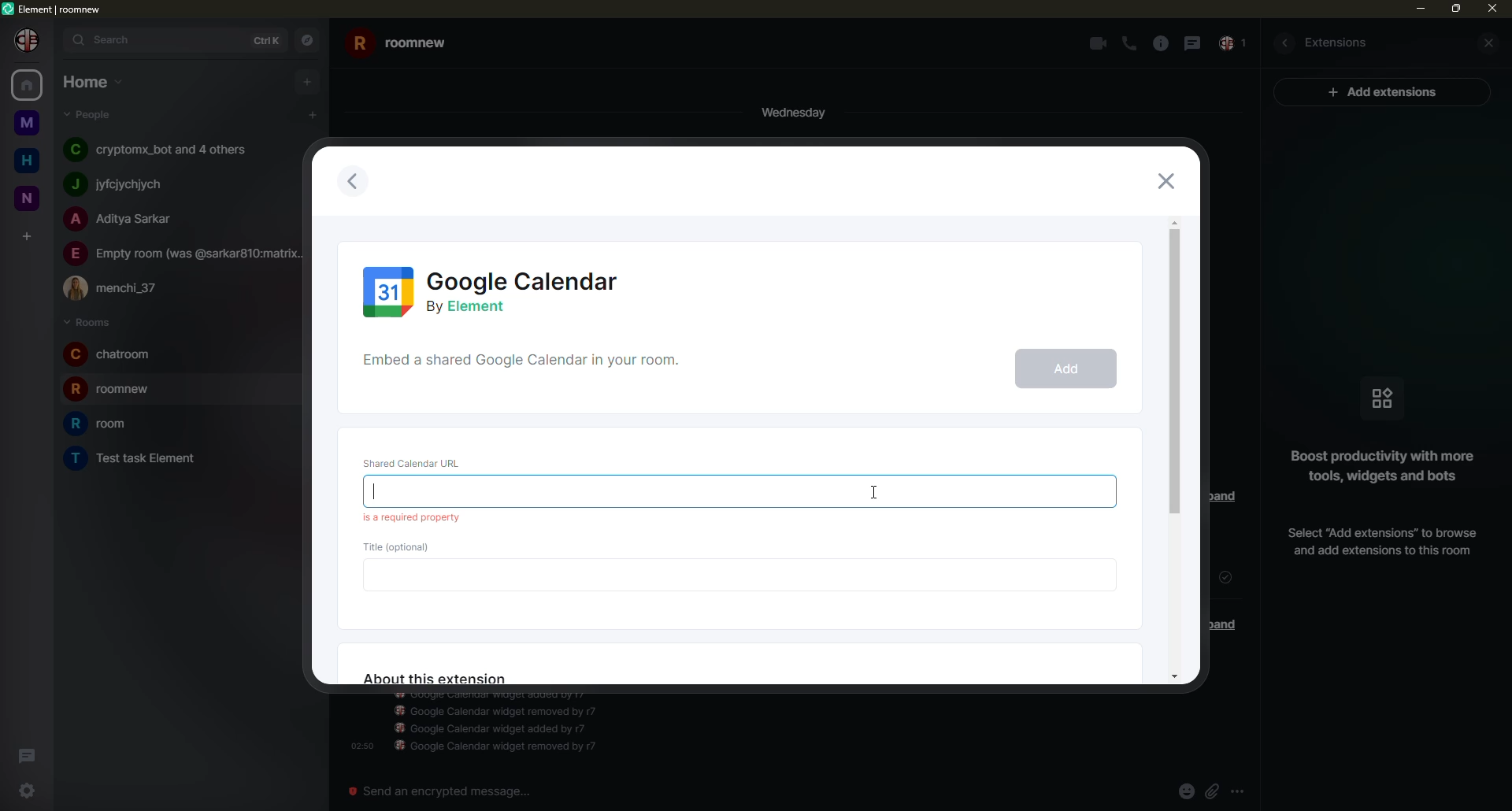  What do you see at coordinates (28, 41) in the screenshot?
I see `profile` at bounding box center [28, 41].